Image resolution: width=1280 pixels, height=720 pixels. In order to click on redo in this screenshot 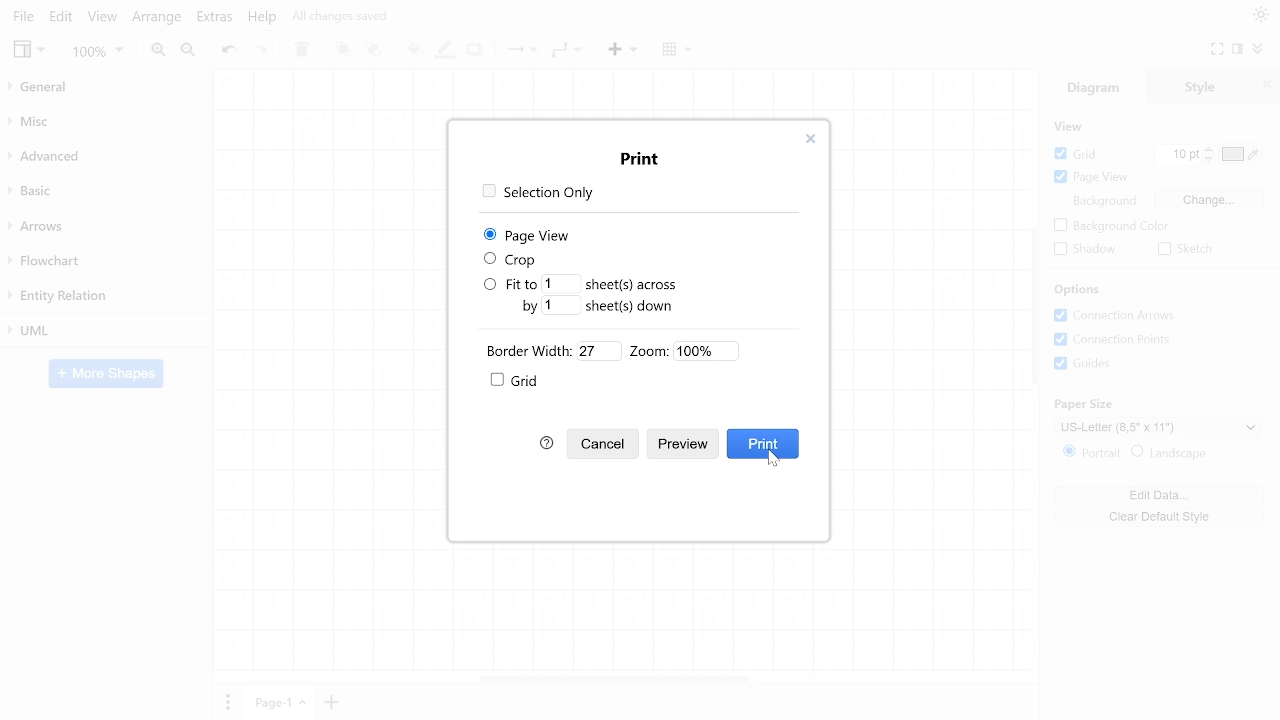, I will do `click(262, 52)`.